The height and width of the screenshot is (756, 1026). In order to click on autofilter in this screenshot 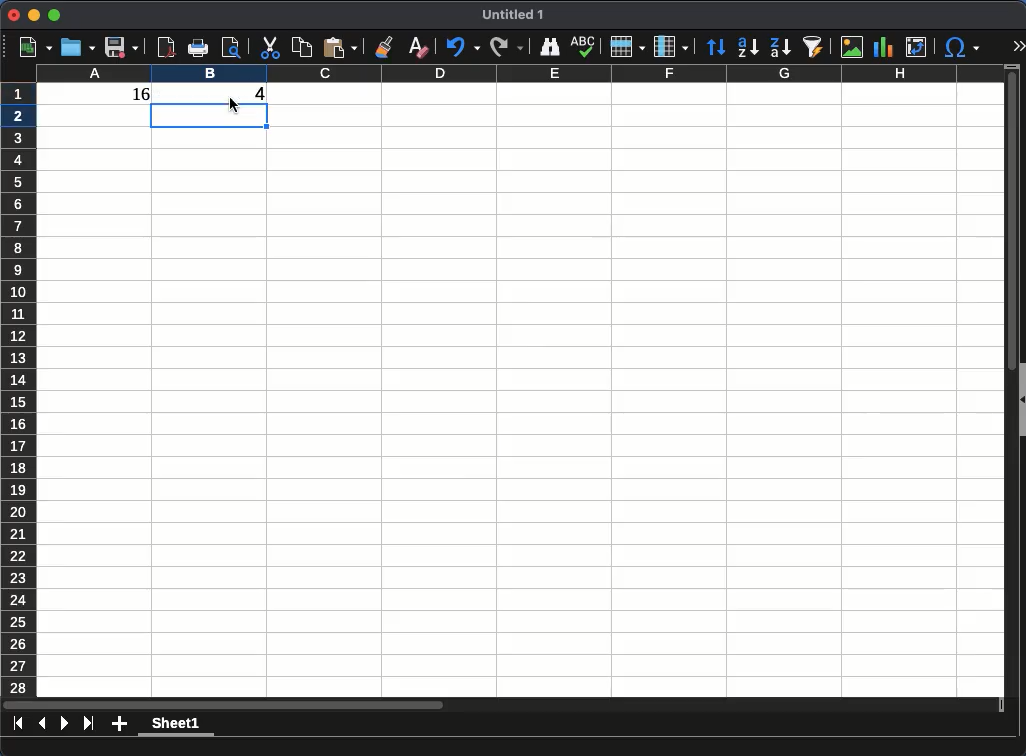, I will do `click(814, 47)`.